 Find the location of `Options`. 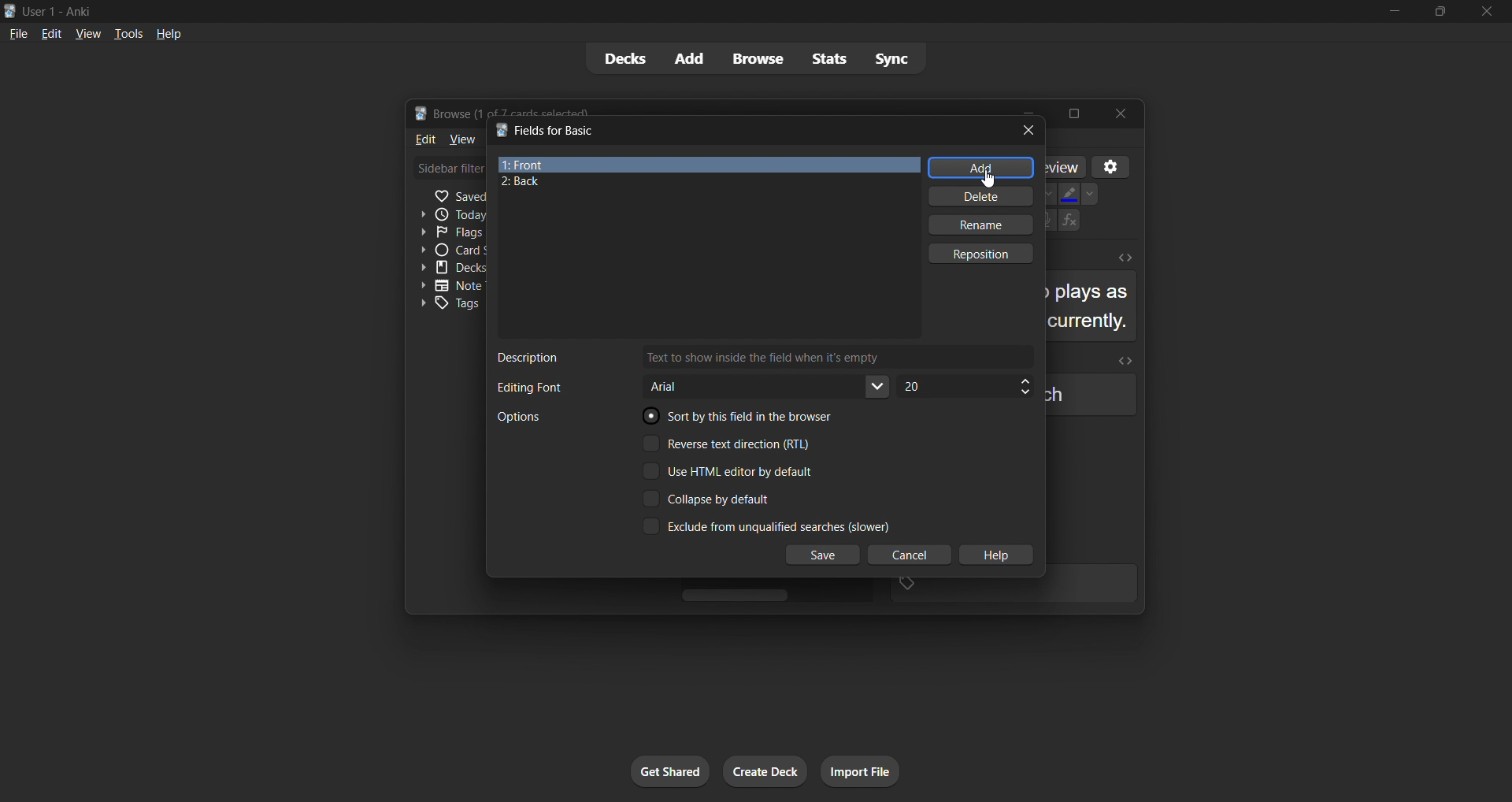

Options is located at coordinates (538, 420).